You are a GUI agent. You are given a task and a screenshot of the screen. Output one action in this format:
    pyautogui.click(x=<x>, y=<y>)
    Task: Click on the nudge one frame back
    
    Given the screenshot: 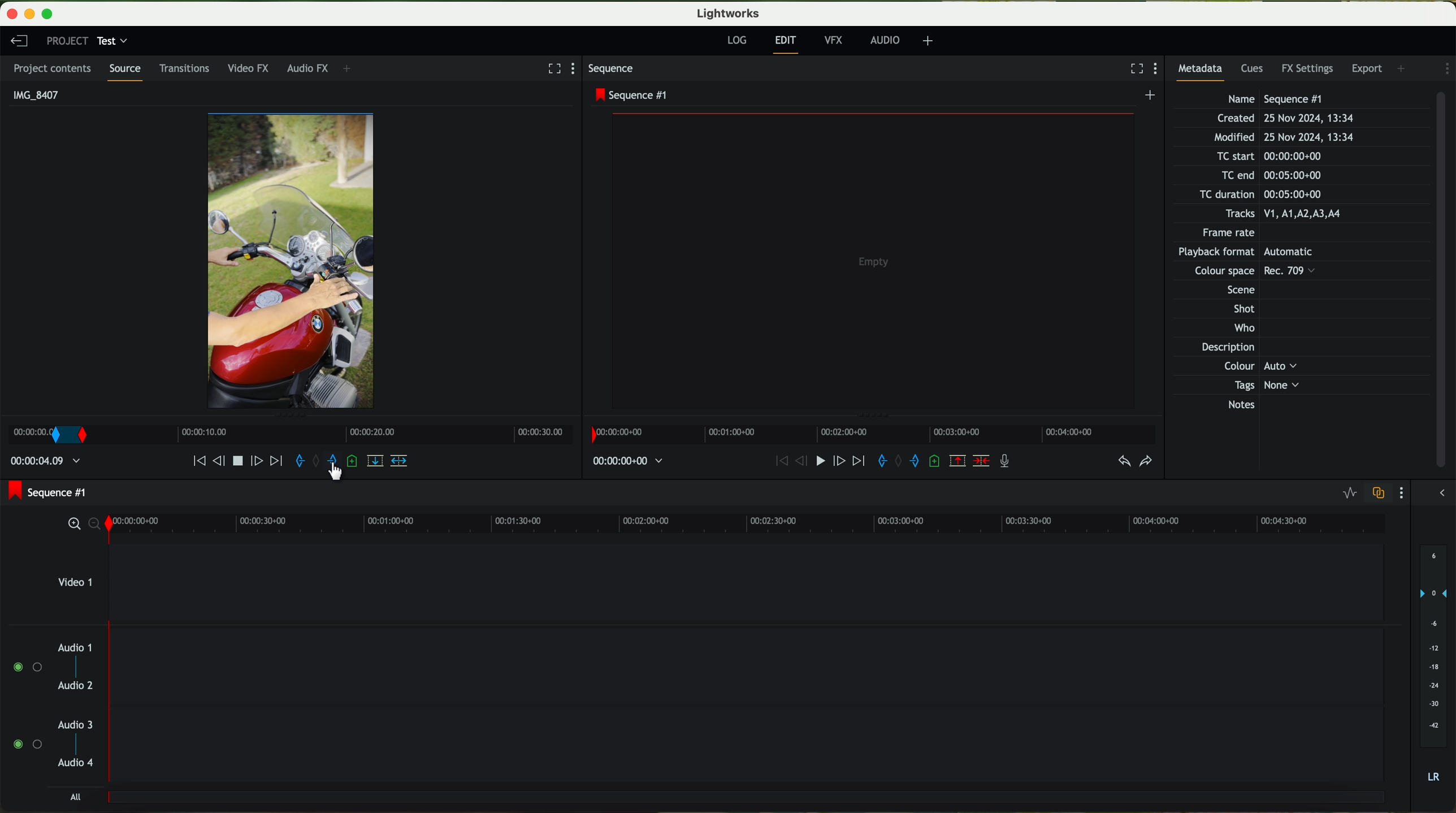 What is the action you would take?
    pyautogui.click(x=794, y=464)
    